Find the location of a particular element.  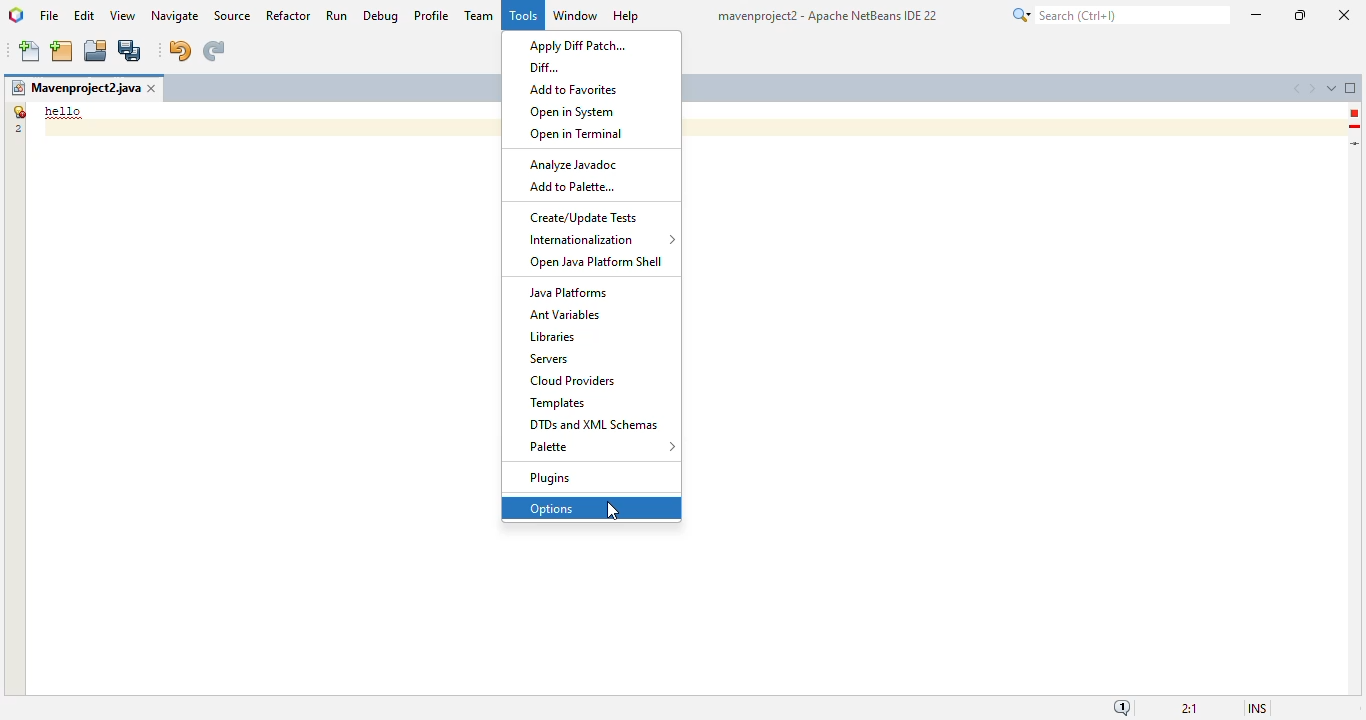

run is located at coordinates (338, 15).